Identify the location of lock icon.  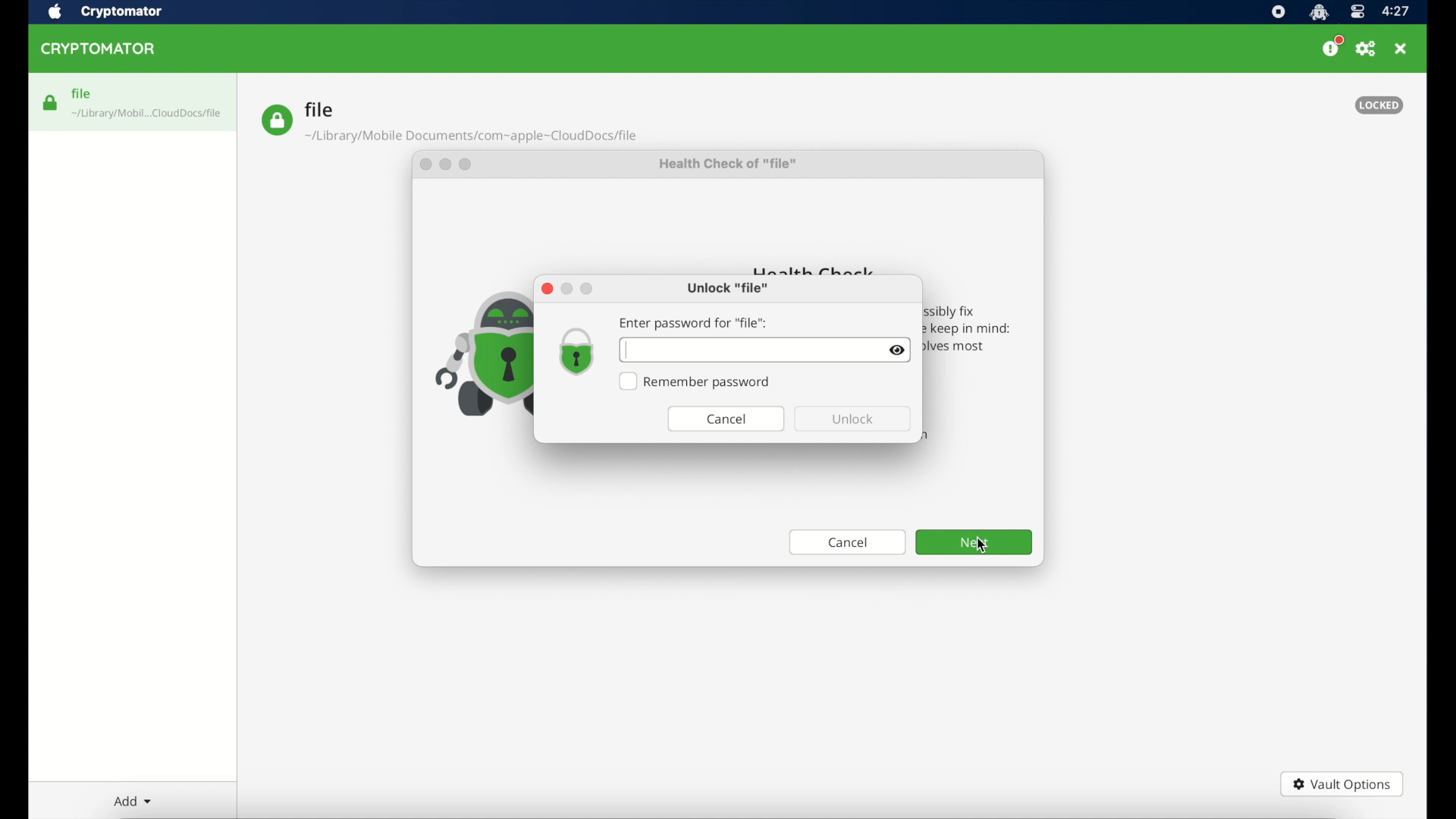
(575, 352).